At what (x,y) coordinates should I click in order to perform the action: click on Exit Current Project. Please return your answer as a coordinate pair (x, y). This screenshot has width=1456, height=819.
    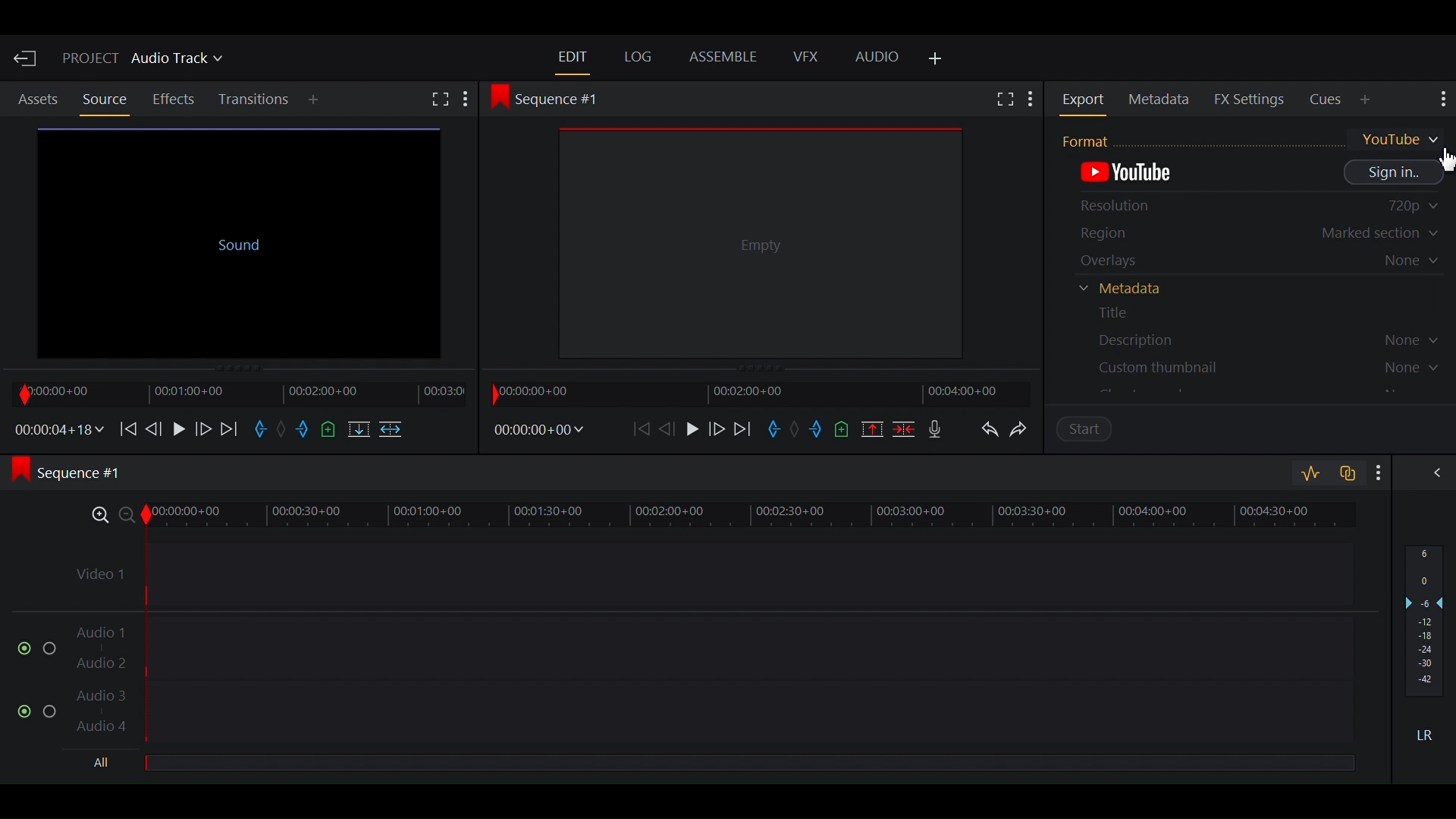
    Looking at the image, I should click on (27, 58).